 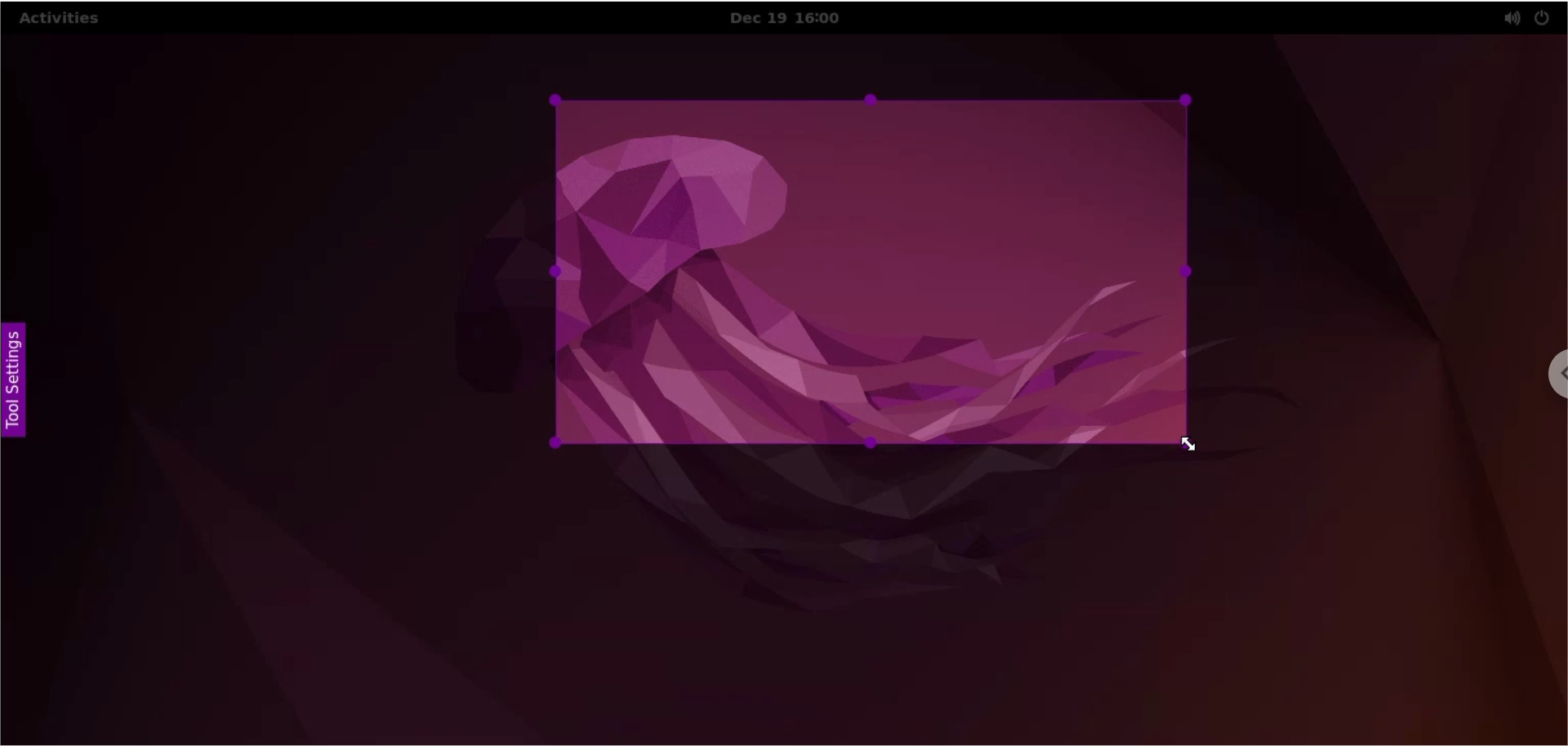 What do you see at coordinates (1190, 446) in the screenshot?
I see `cursor` at bounding box center [1190, 446].